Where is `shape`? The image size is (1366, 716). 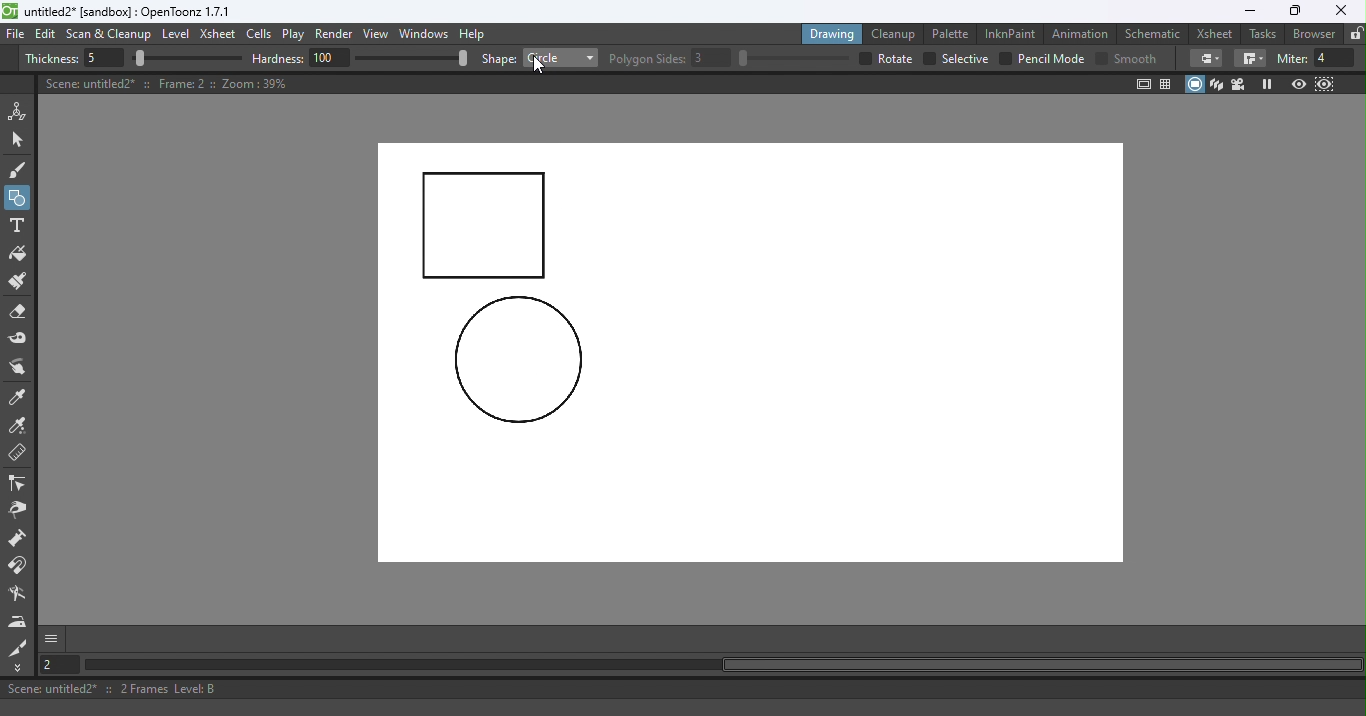 shape is located at coordinates (499, 60).